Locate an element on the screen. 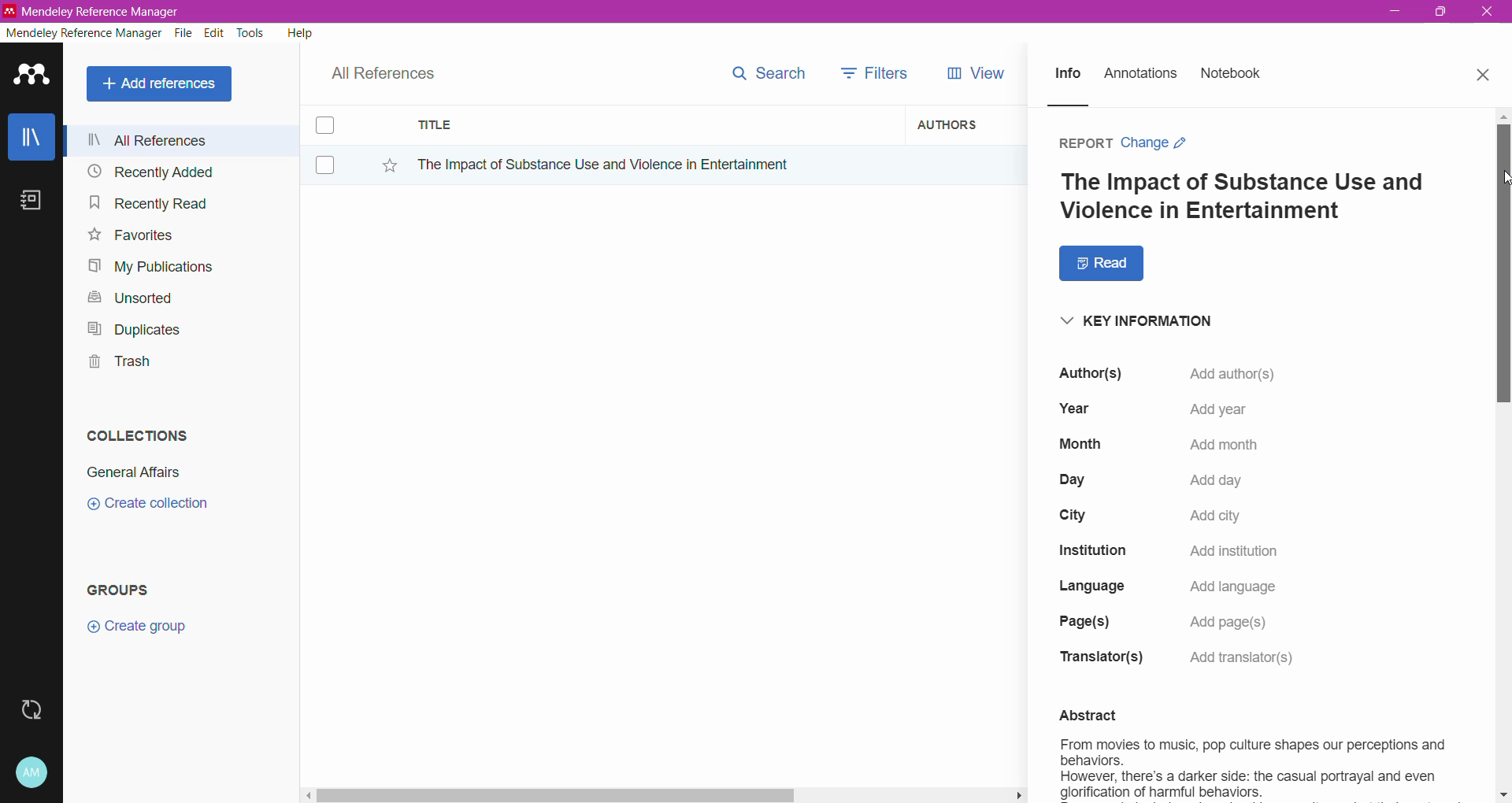 This screenshot has height=803, width=1512. language is located at coordinates (1177, 587).